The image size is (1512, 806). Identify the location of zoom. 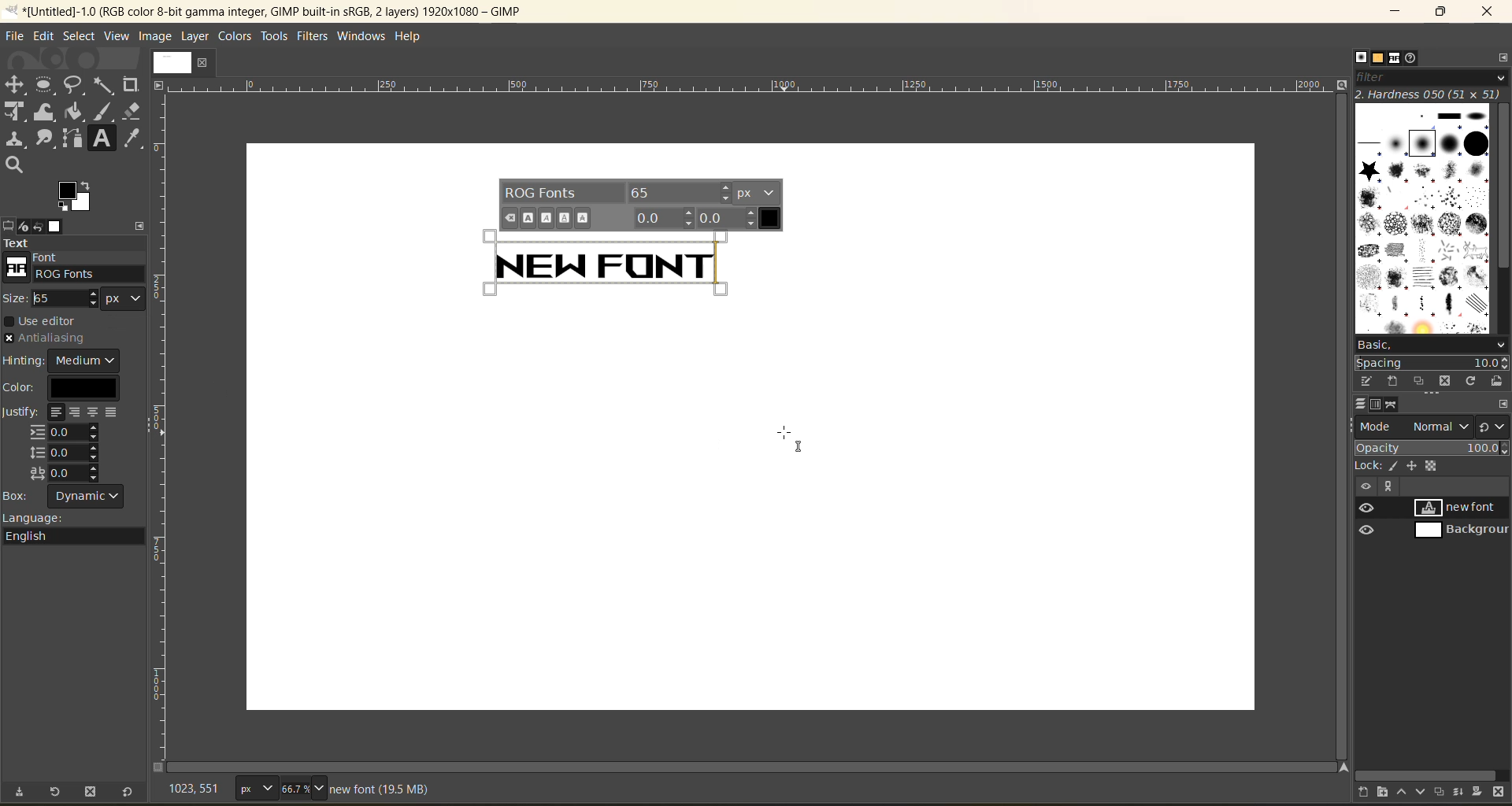
(302, 786).